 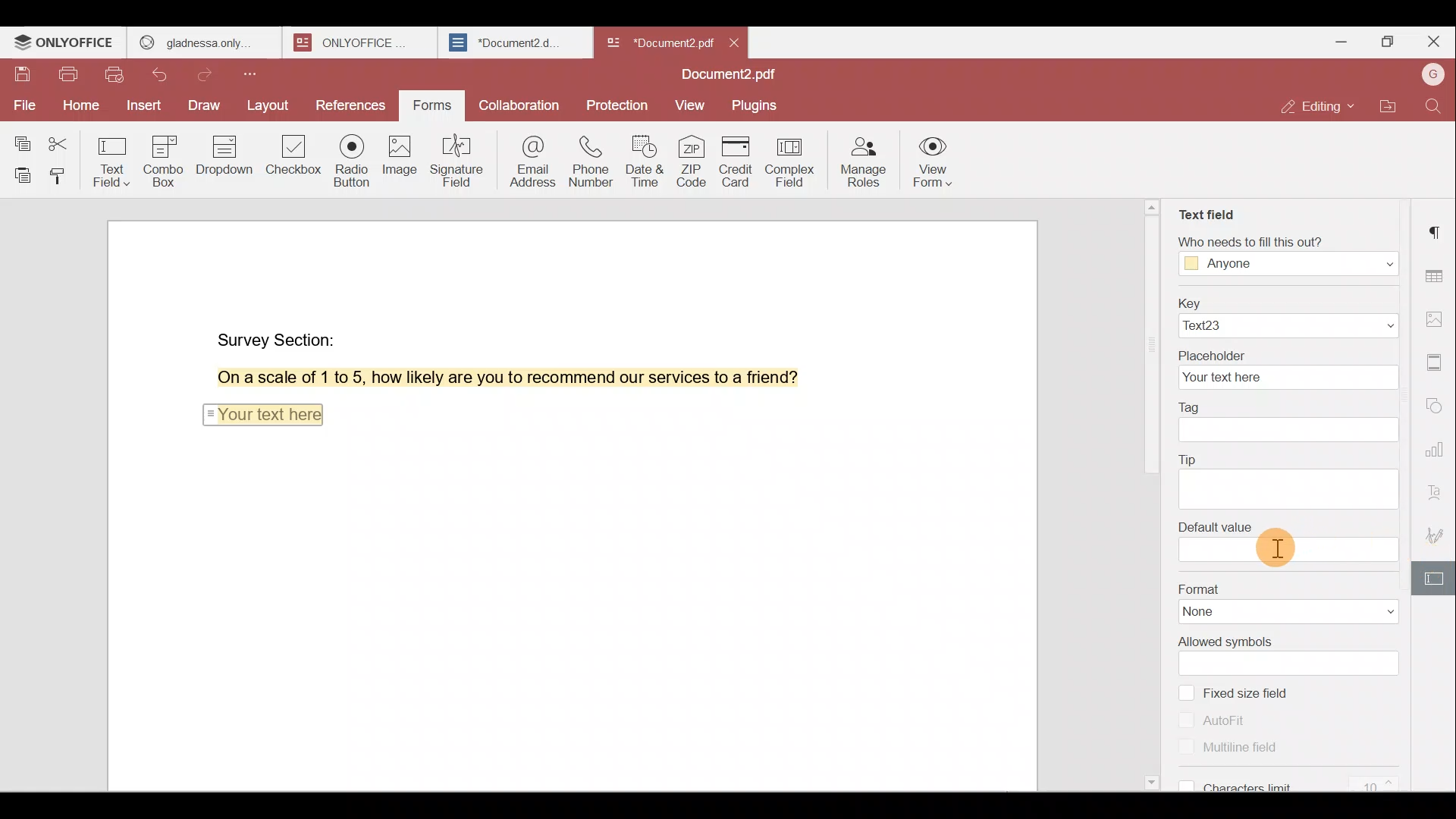 I want to click on Text field, so click(x=1210, y=215).